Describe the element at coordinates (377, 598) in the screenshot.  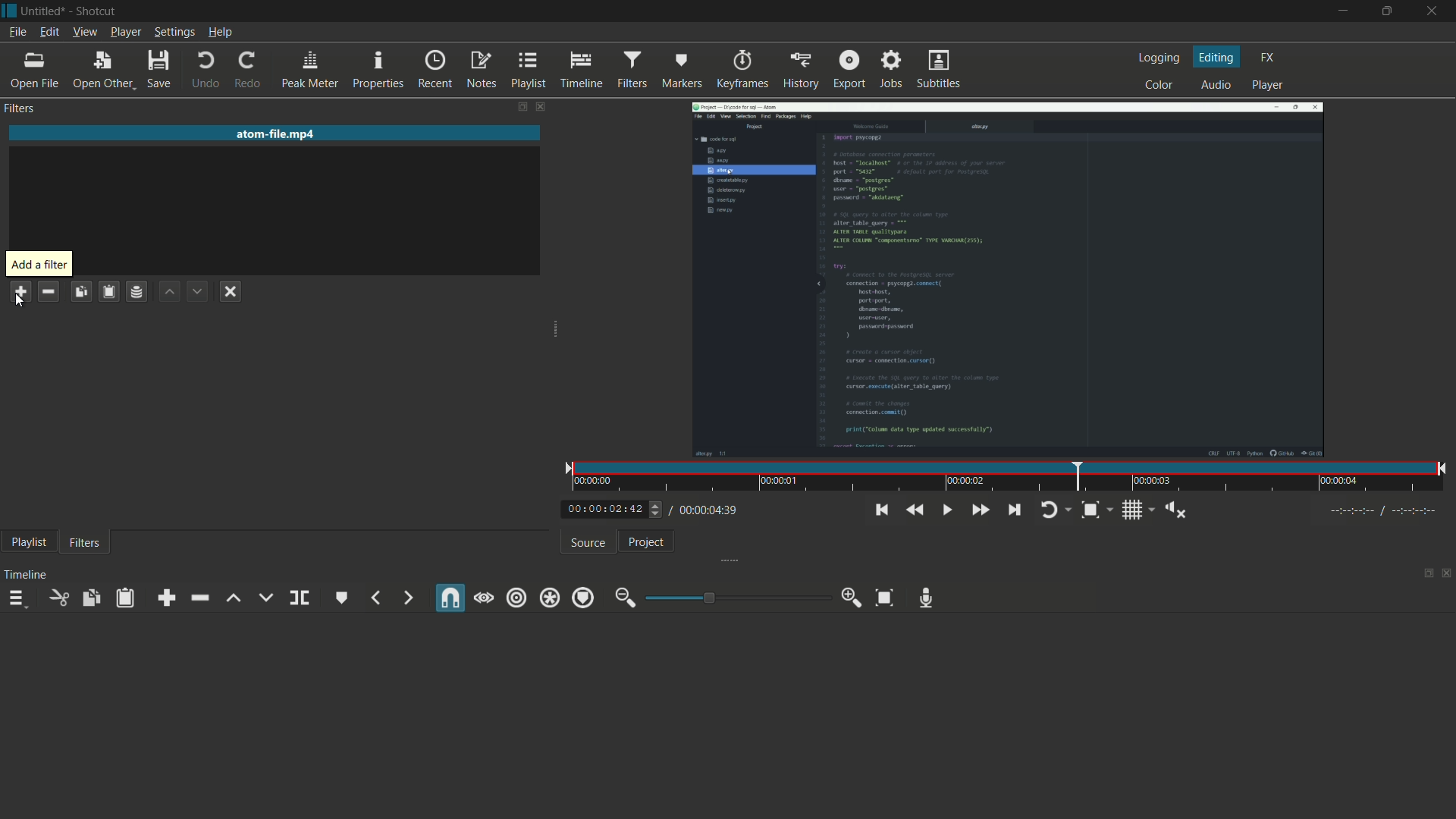
I see `previous marker` at that location.